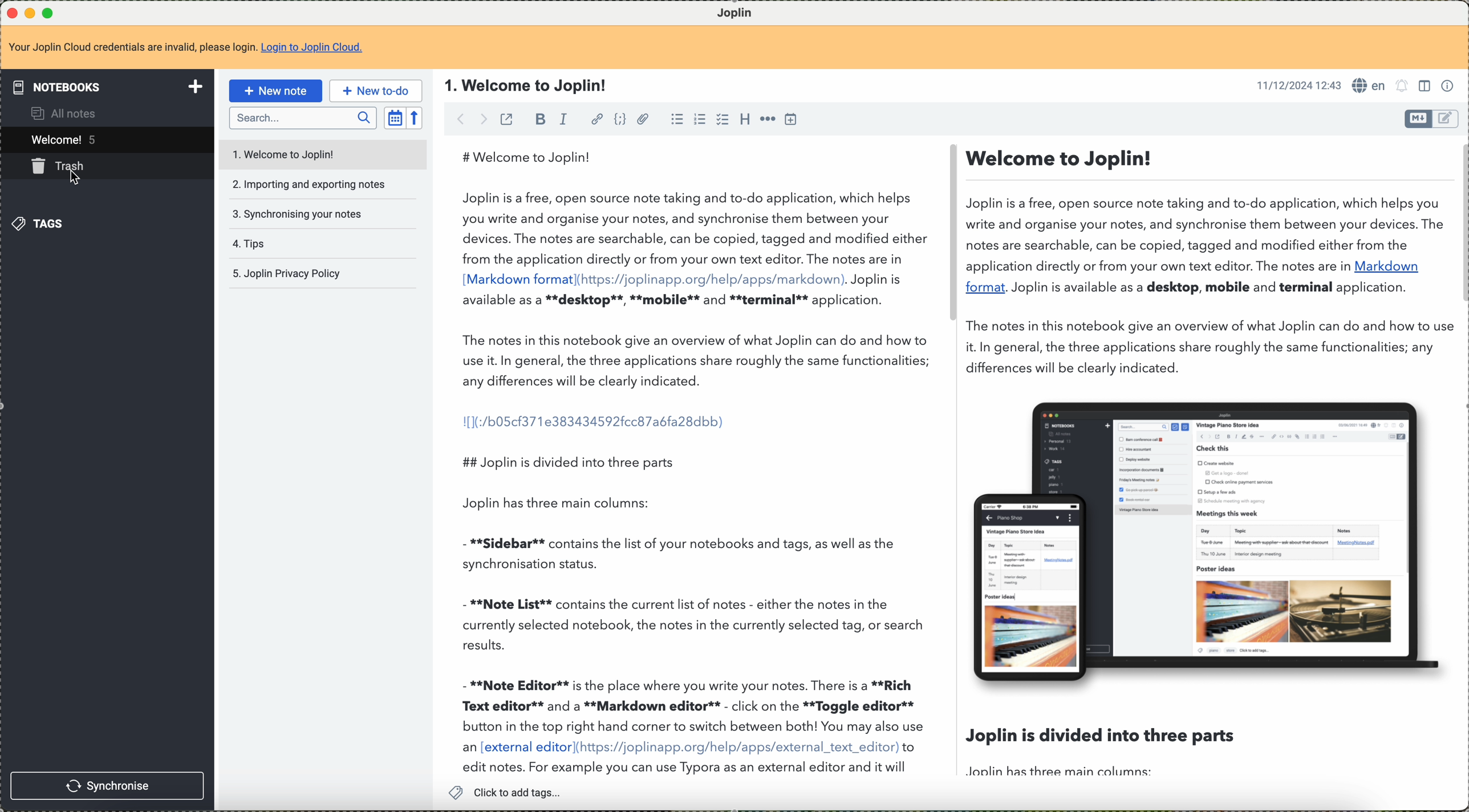 This screenshot has width=1469, height=812. Describe the element at coordinates (594, 119) in the screenshot. I see `hyperlink` at that location.